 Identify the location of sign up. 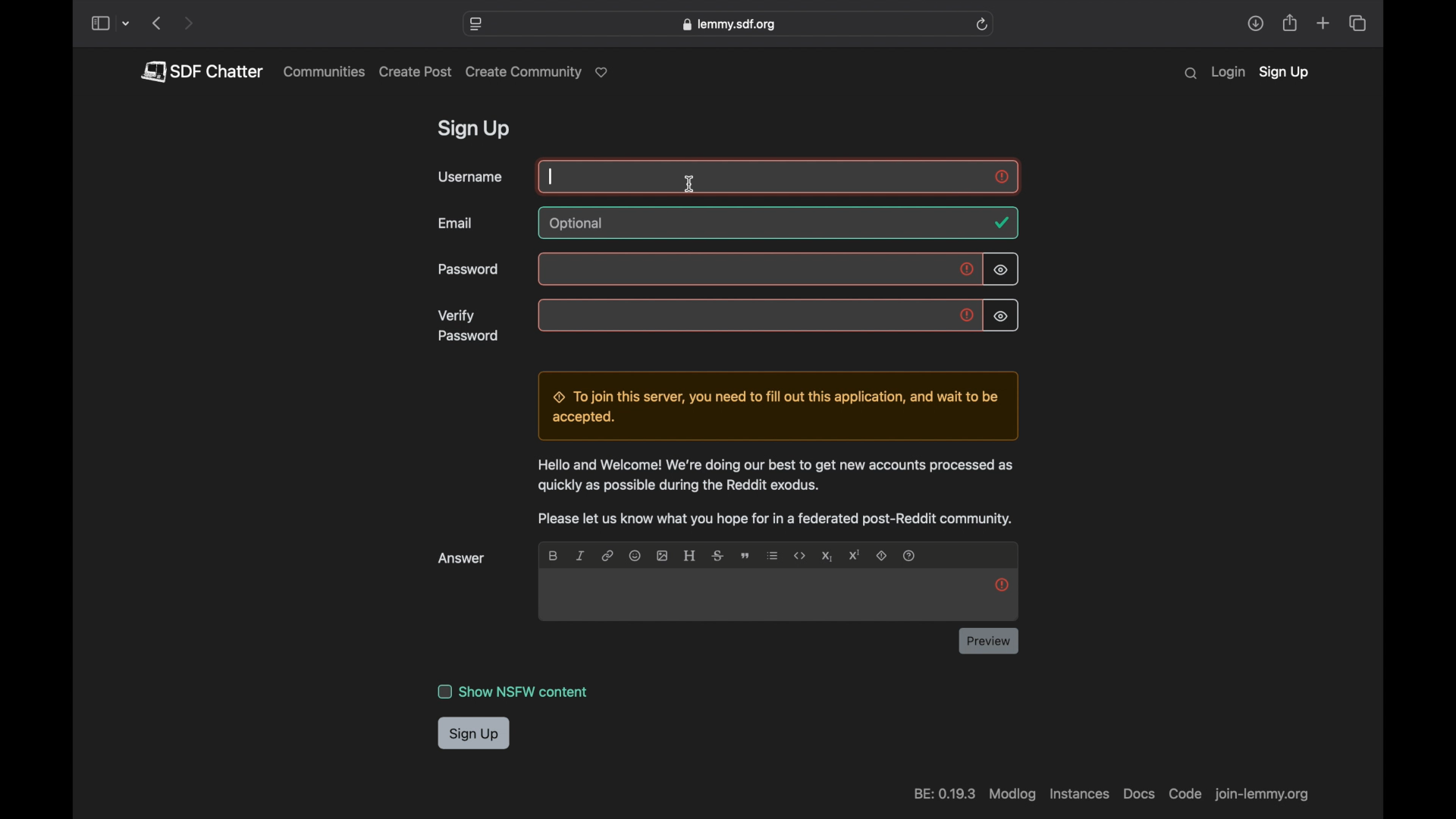
(1284, 74).